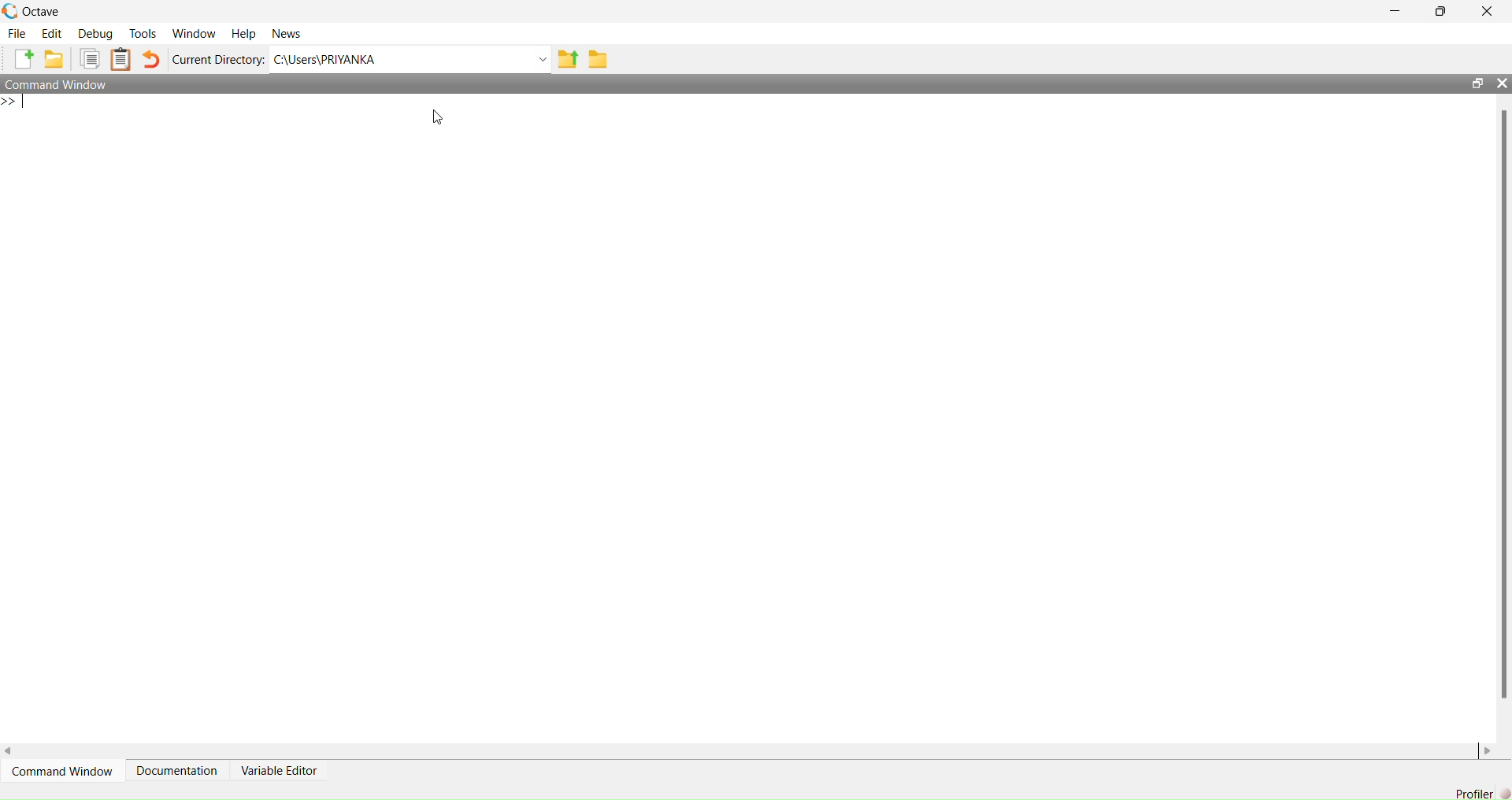 The height and width of the screenshot is (800, 1512). Describe the element at coordinates (144, 34) in the screenshot. I see `tools` at that location.